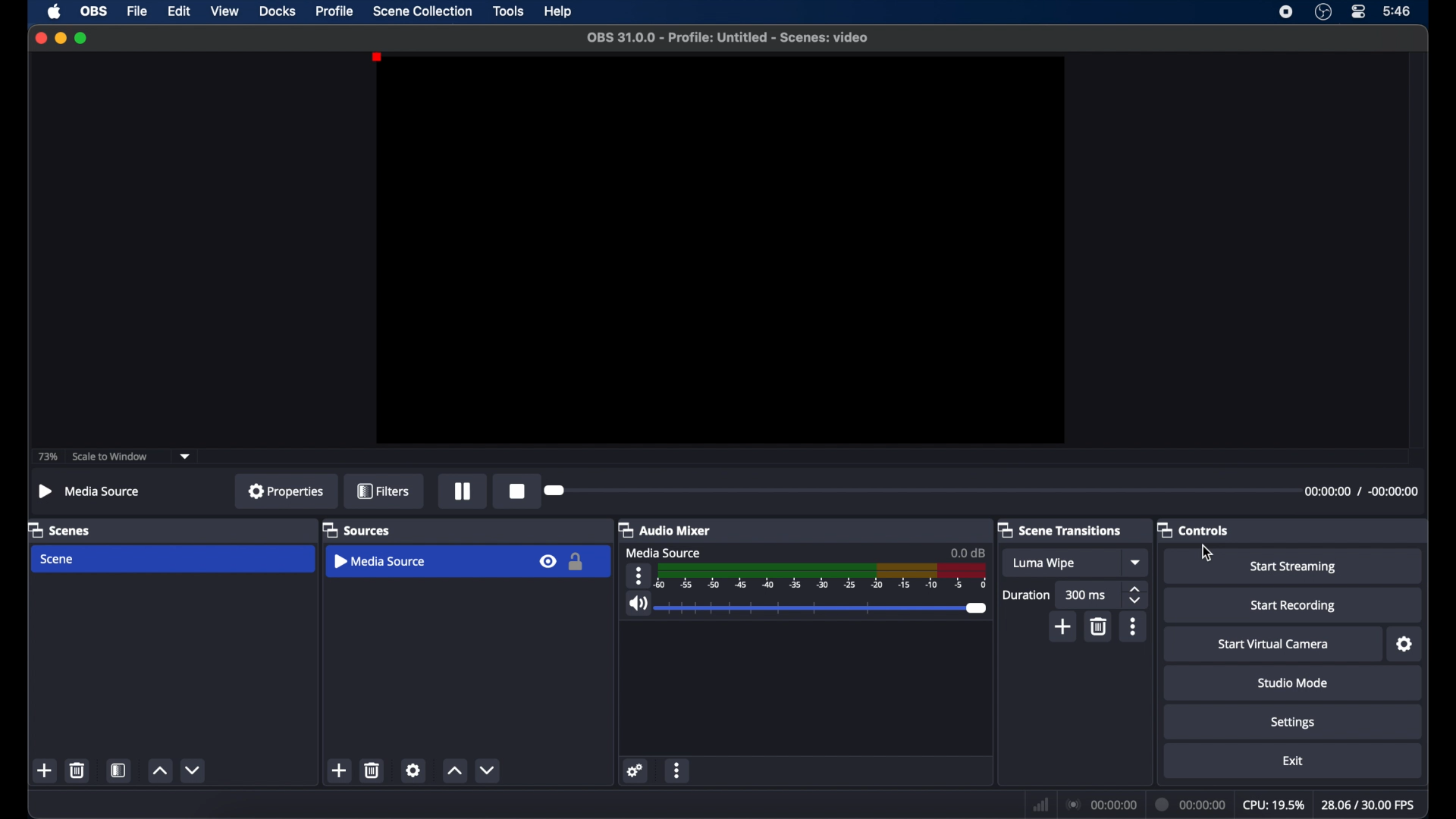  What do you see at coordinates (1293, 567) in the screenshot?
I see `start streaming` at bounding box center [1293, 567].